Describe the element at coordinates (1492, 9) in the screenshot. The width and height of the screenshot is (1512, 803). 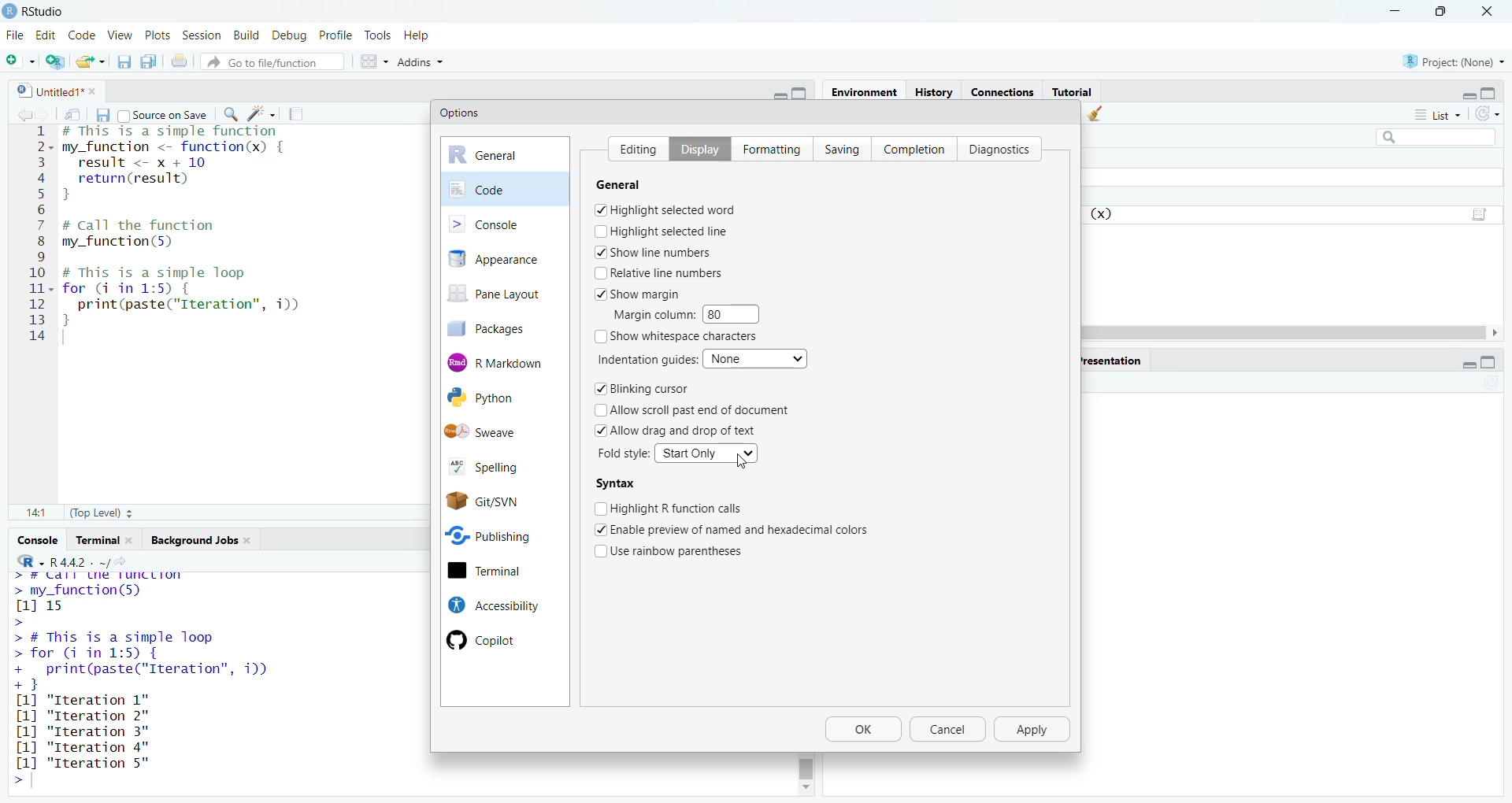
I see `close` at that location.